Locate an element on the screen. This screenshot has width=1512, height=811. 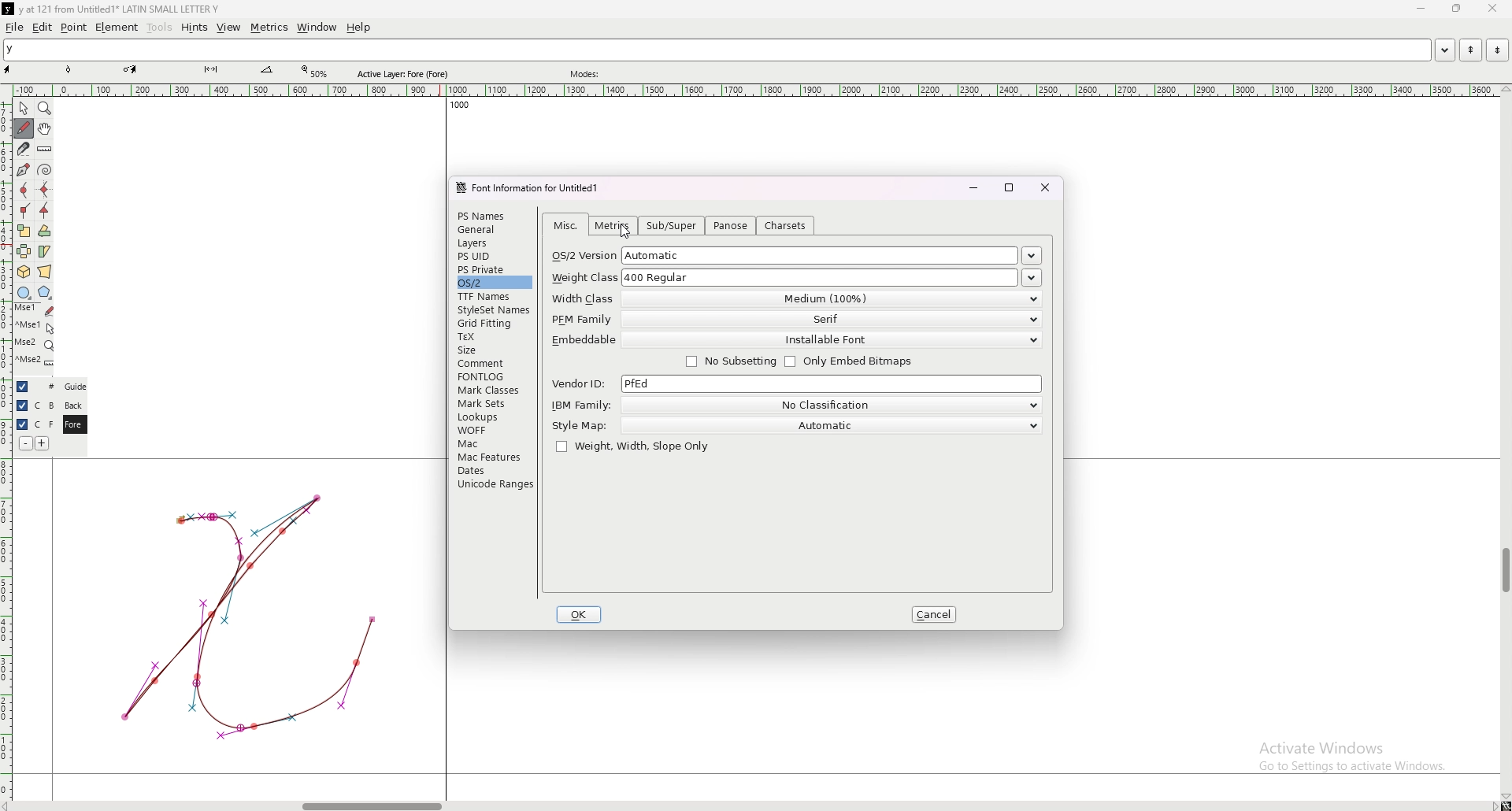
mac is located at coordinates (492, 443).